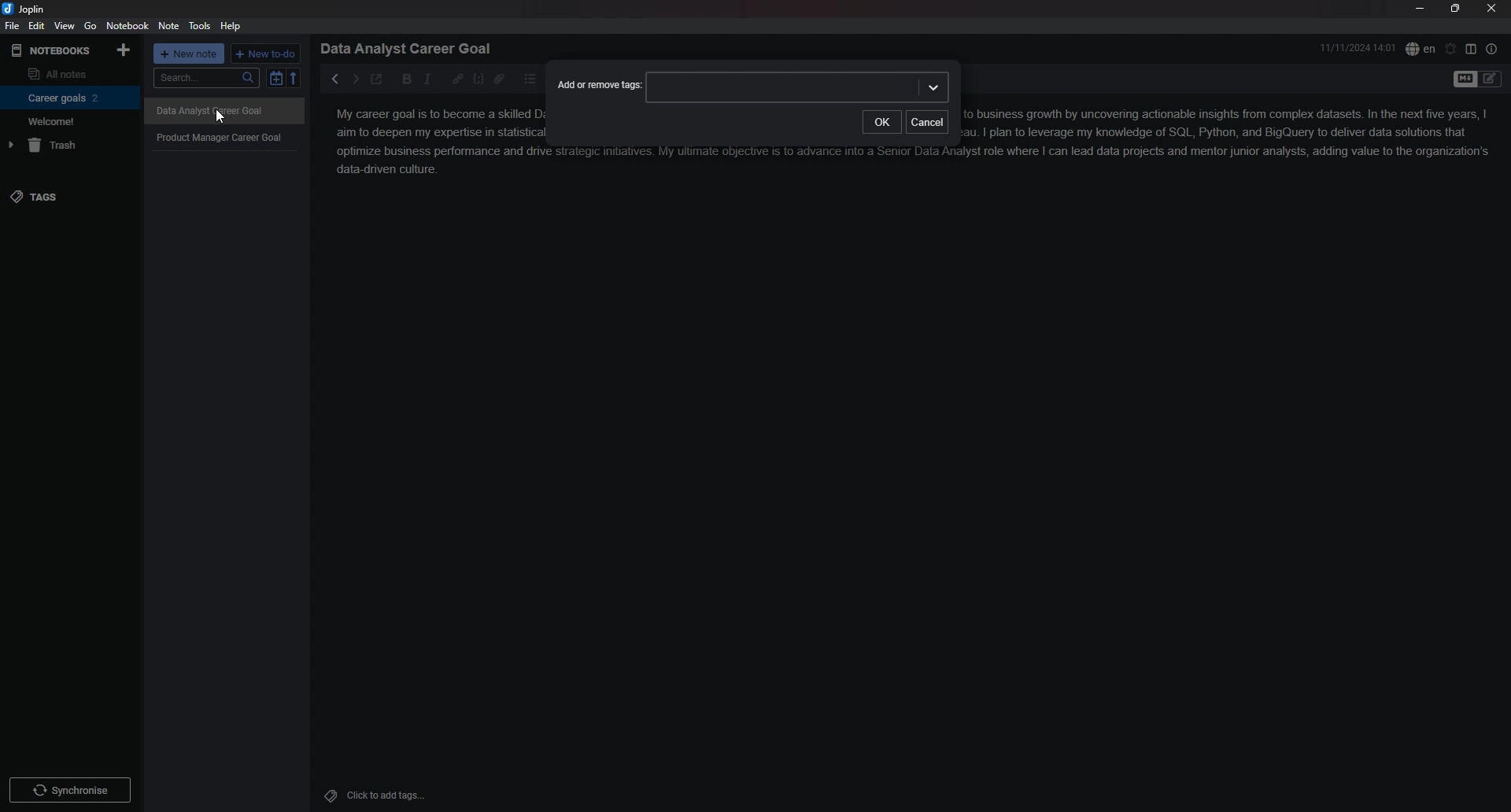 The height and width of the screenshot is (812, 1511). What do you see at coordinates (408, 79) in the screenshot?
I see `bold` at bounding box center [408, 79].